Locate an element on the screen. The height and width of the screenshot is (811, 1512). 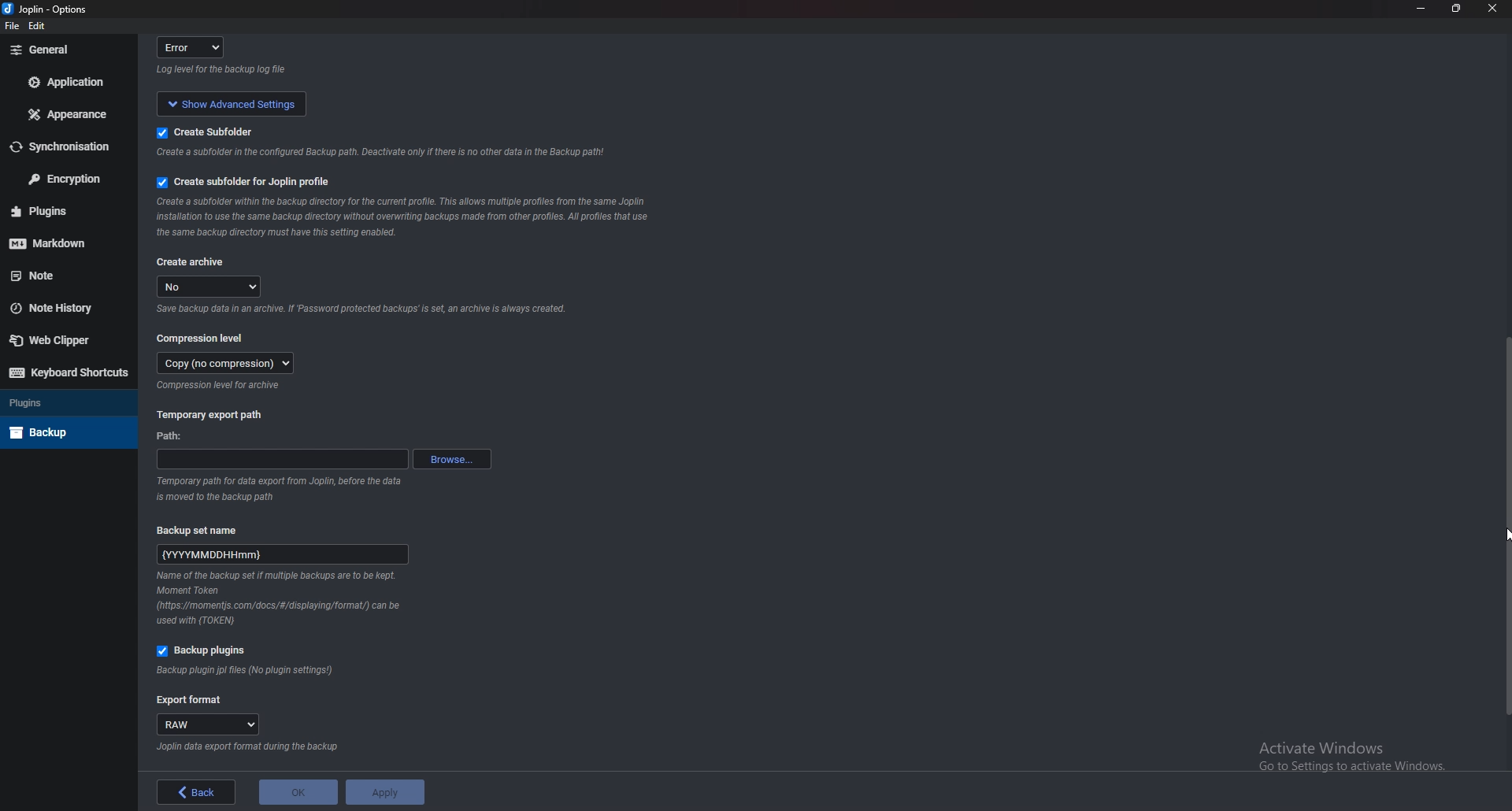
Mark down is located at coordinates (59, 241).